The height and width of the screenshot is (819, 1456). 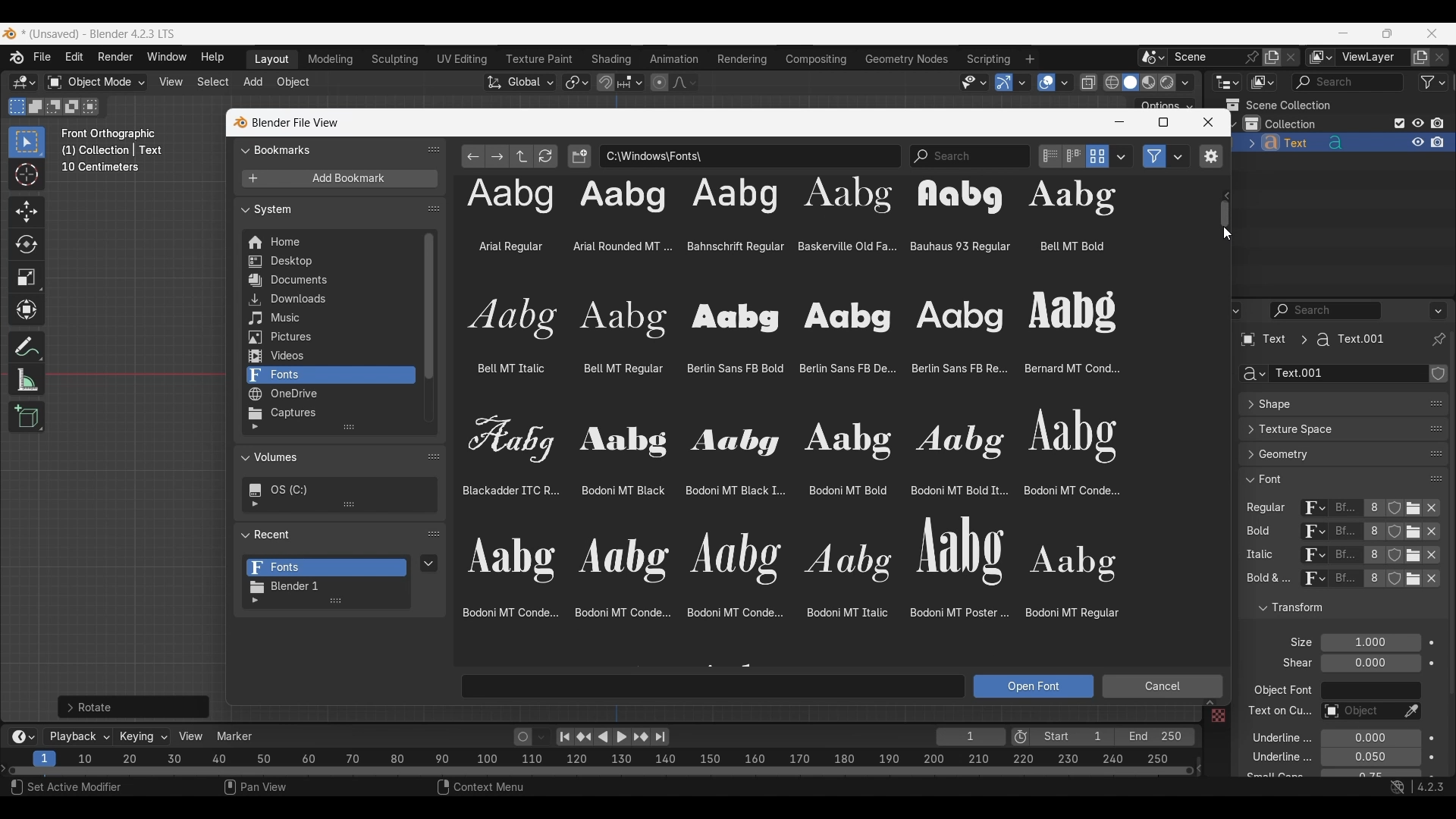 I want to click on Display settings, so click(x=1122, y=156).